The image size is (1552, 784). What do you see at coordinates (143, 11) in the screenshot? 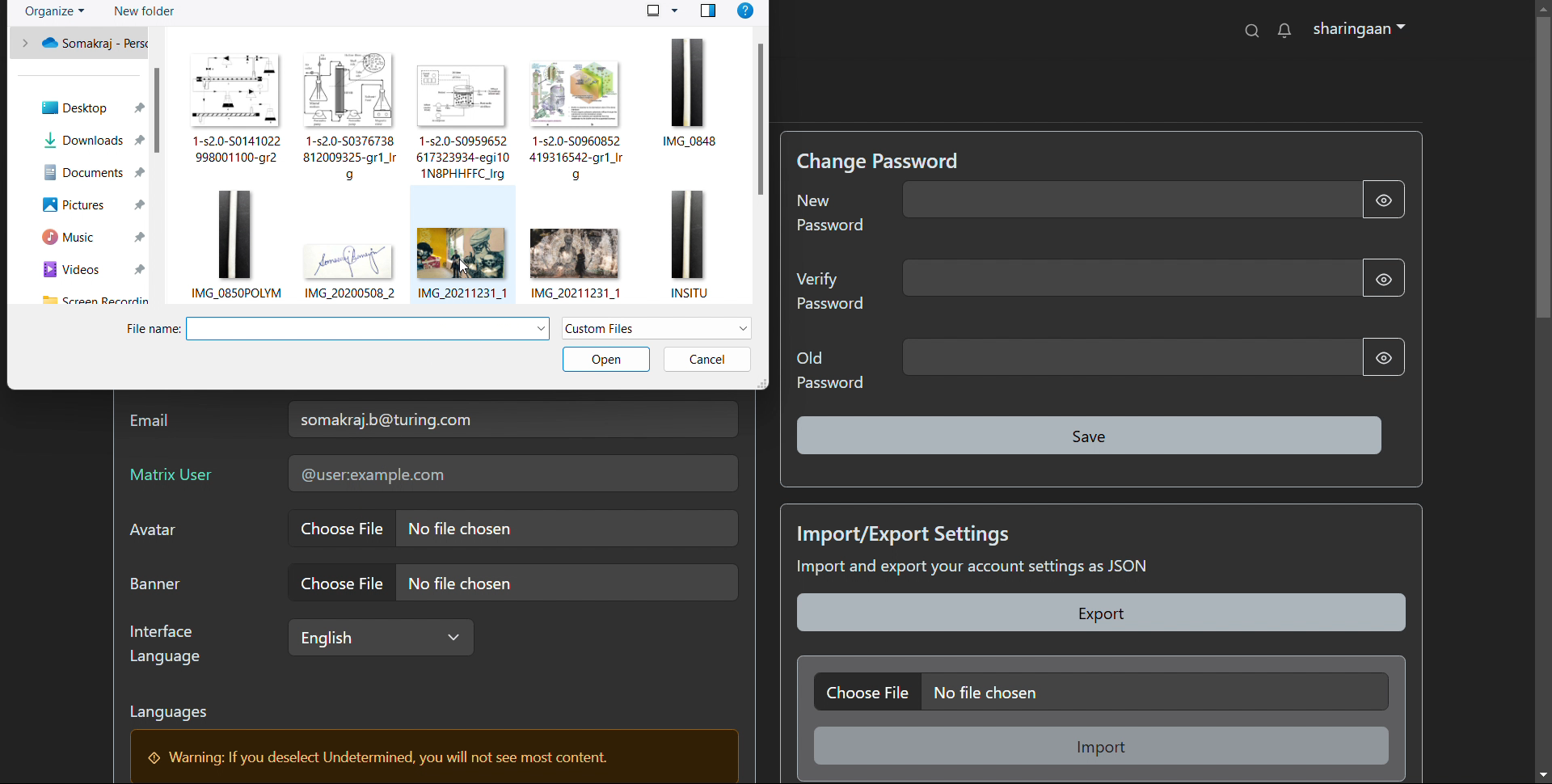
I see `new folder` at bounding box center [143, 11].